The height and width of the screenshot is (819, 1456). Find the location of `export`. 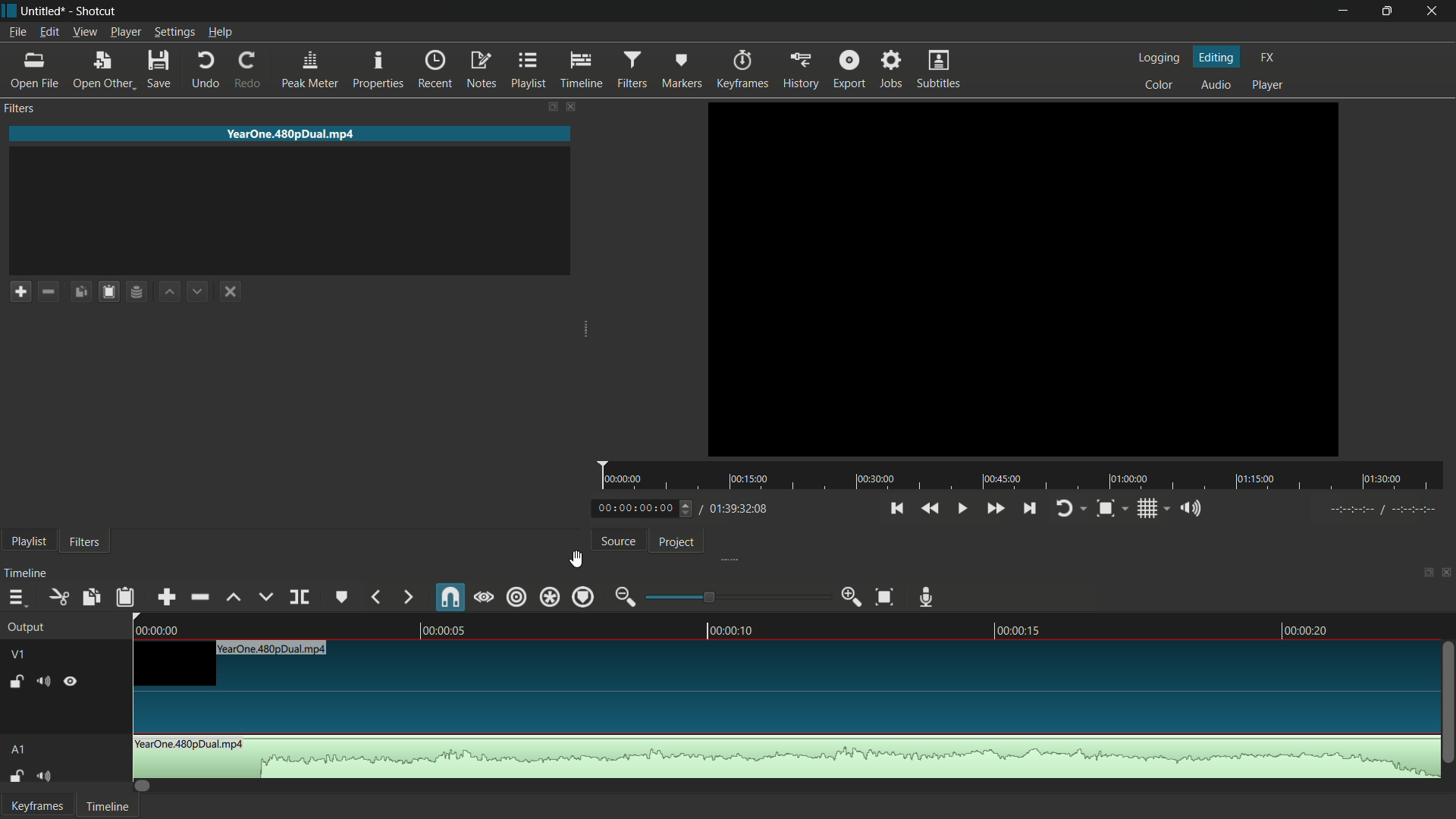

export is located at coordinates (852, 69).